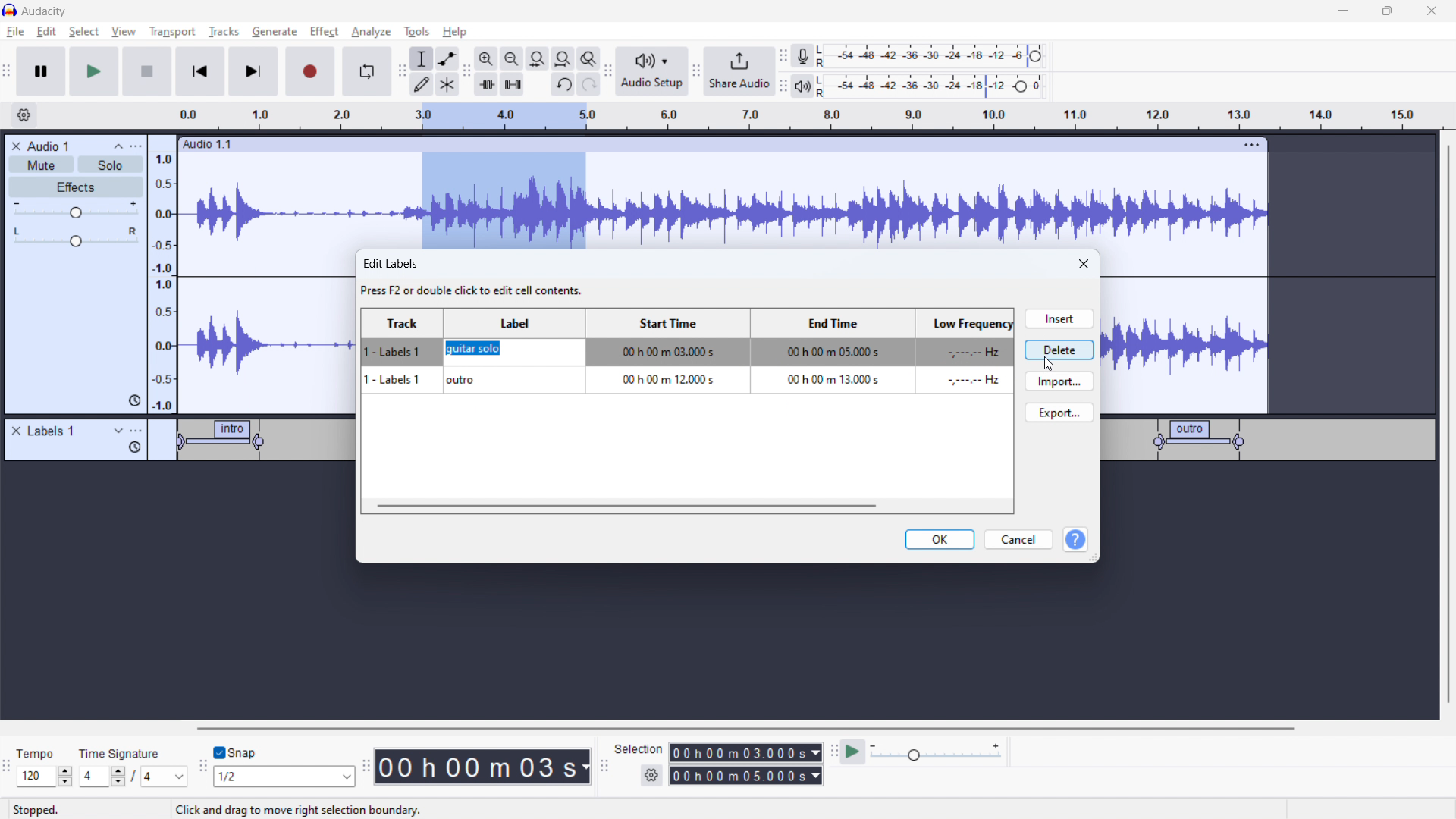  What do you see at coordinates (626, 505) in the screenshot?
I see `horizontal scrollbar` at bounding box center [626, 505].